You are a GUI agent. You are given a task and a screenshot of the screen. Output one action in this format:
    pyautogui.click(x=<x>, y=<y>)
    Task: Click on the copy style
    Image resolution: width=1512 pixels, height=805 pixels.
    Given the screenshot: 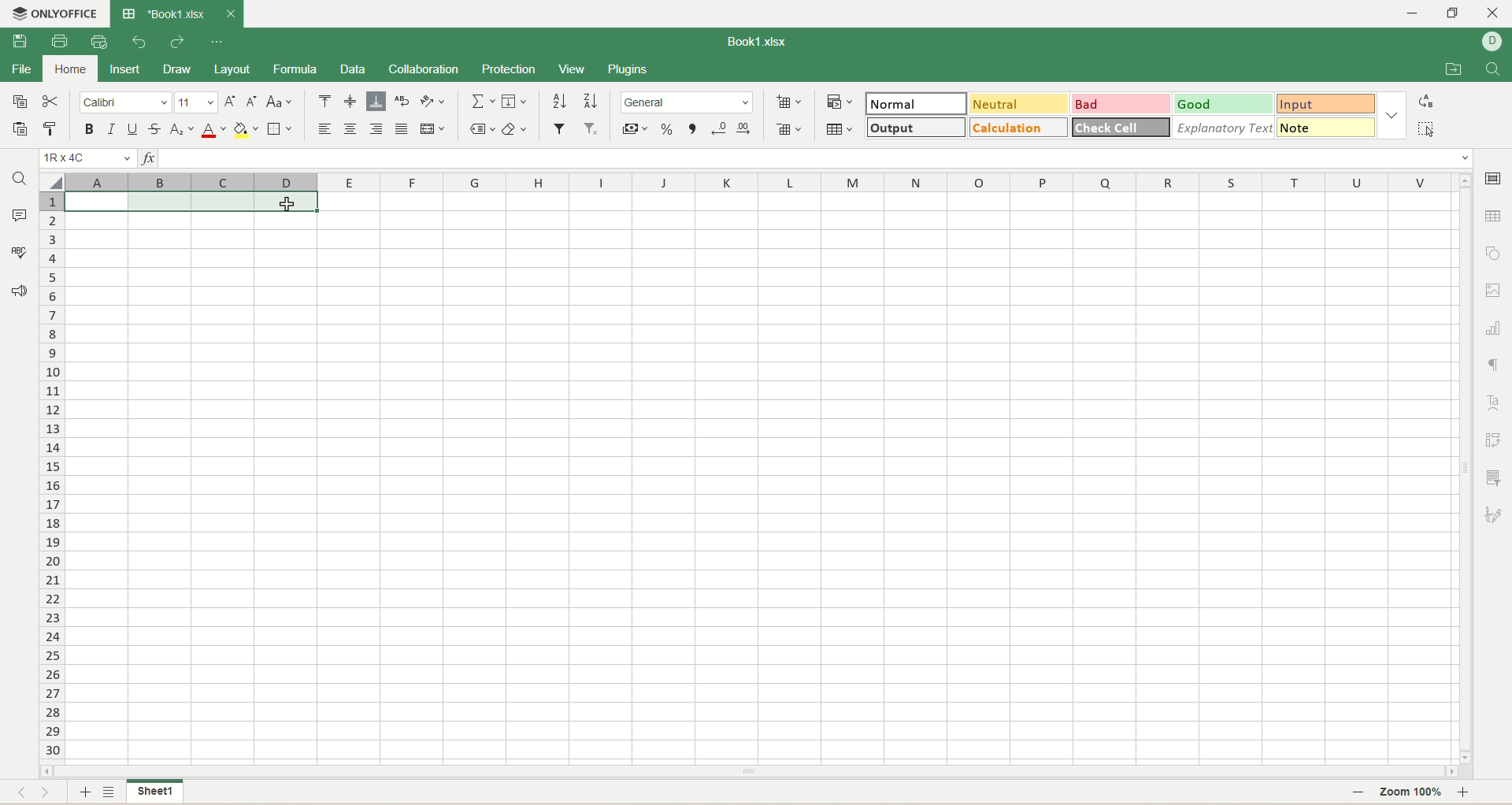 What is the action you would take?
    pyautogui.click(x=50, y=132)
    